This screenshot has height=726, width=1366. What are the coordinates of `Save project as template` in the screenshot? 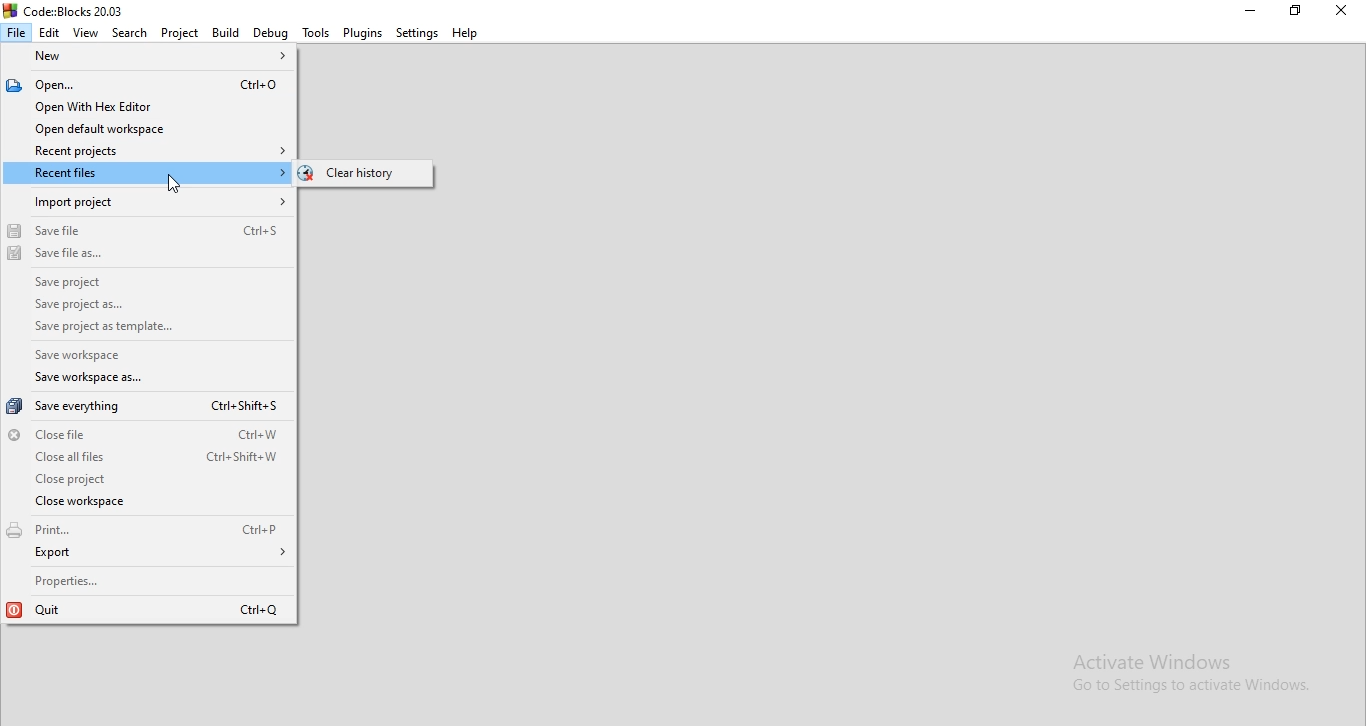 It's located at (119, 329).